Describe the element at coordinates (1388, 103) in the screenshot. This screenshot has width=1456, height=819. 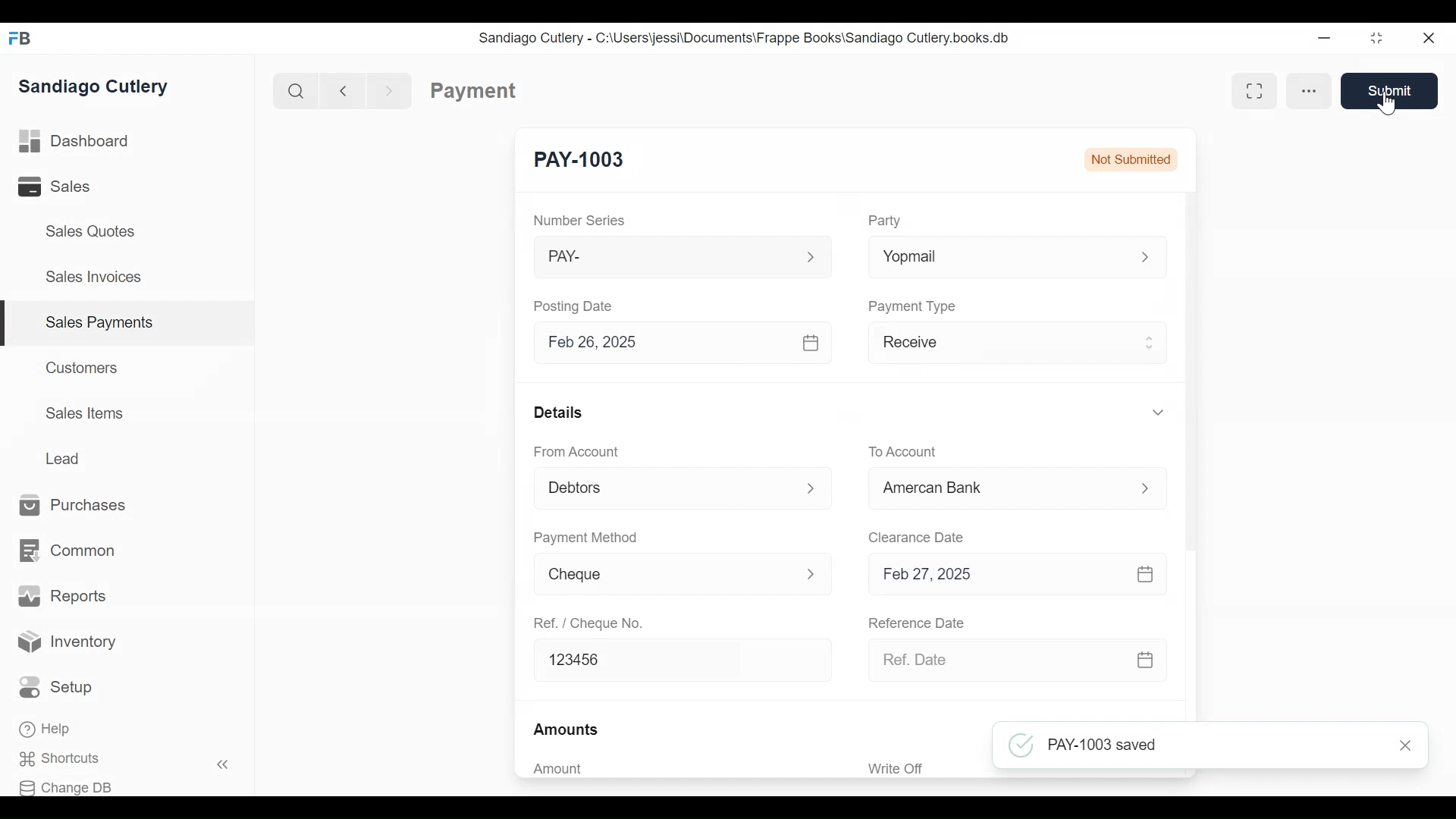
I see `Cursor` at that location.